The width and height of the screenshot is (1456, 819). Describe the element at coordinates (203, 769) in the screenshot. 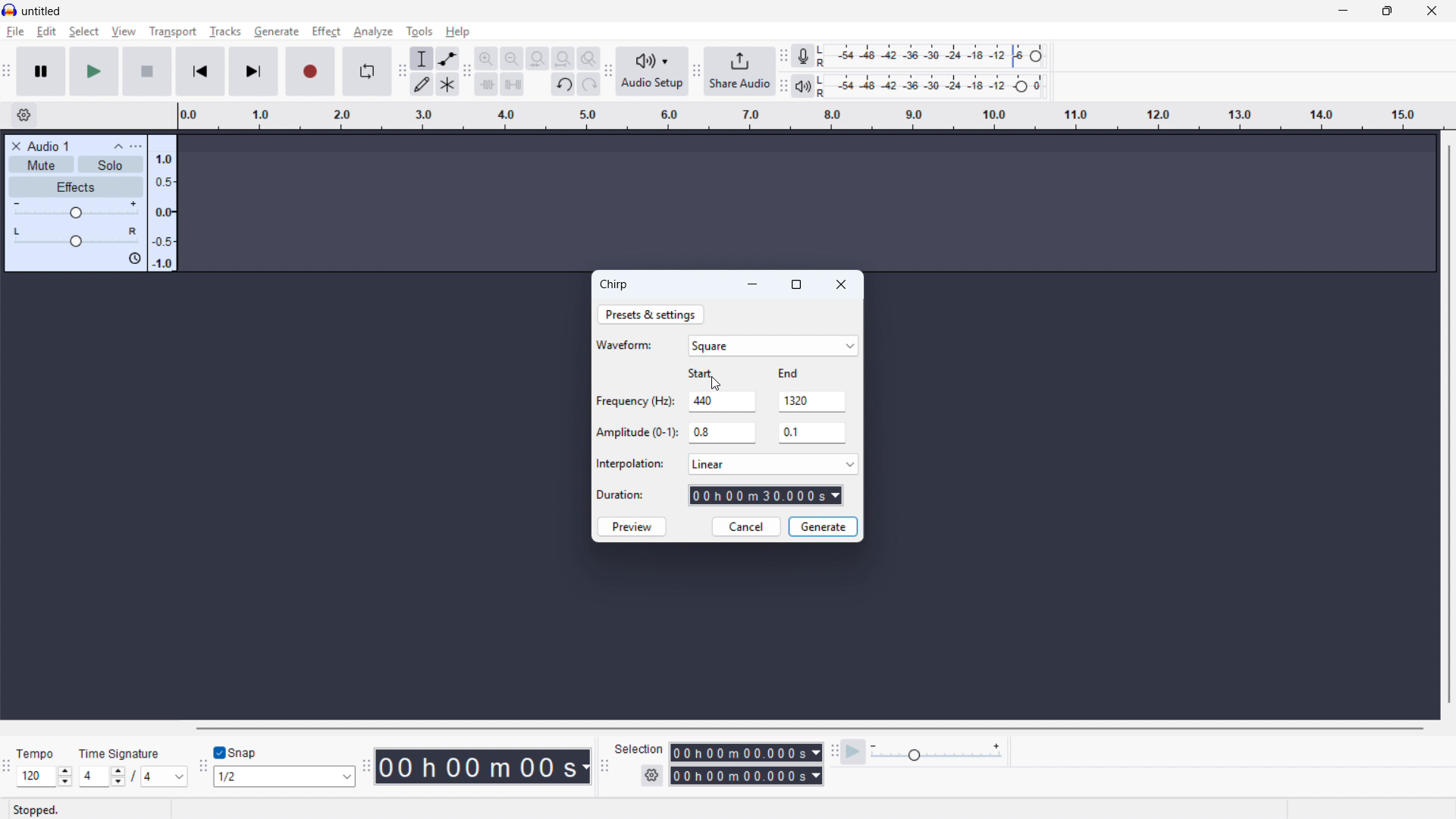

I see `Snapping toolbar ` at that location.